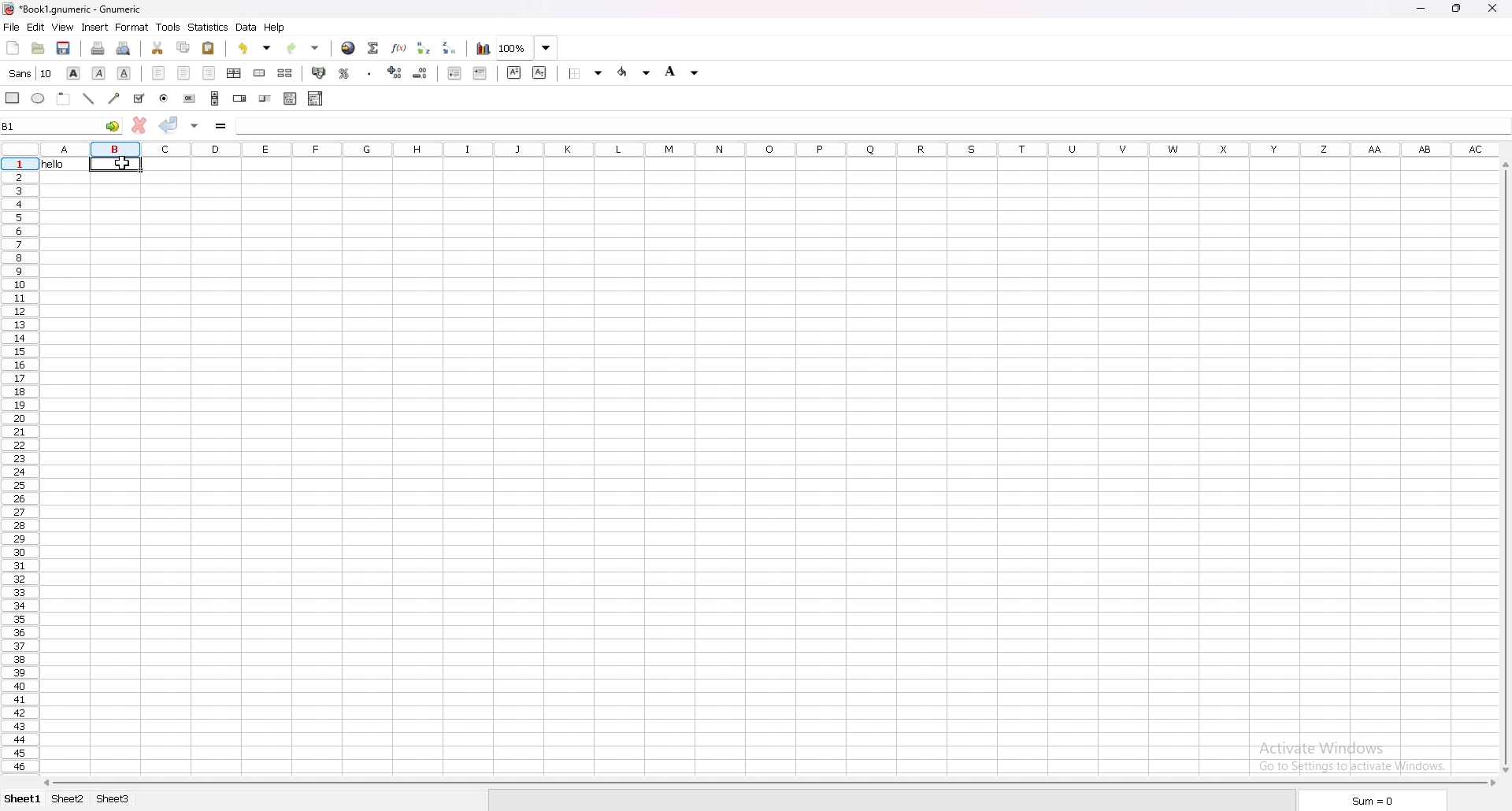 The width and height of the screenshot is (1512, 811). What do you see at coordinates (246, 28) in the screenshot?
I see `data` at bounding box center [246, 28].